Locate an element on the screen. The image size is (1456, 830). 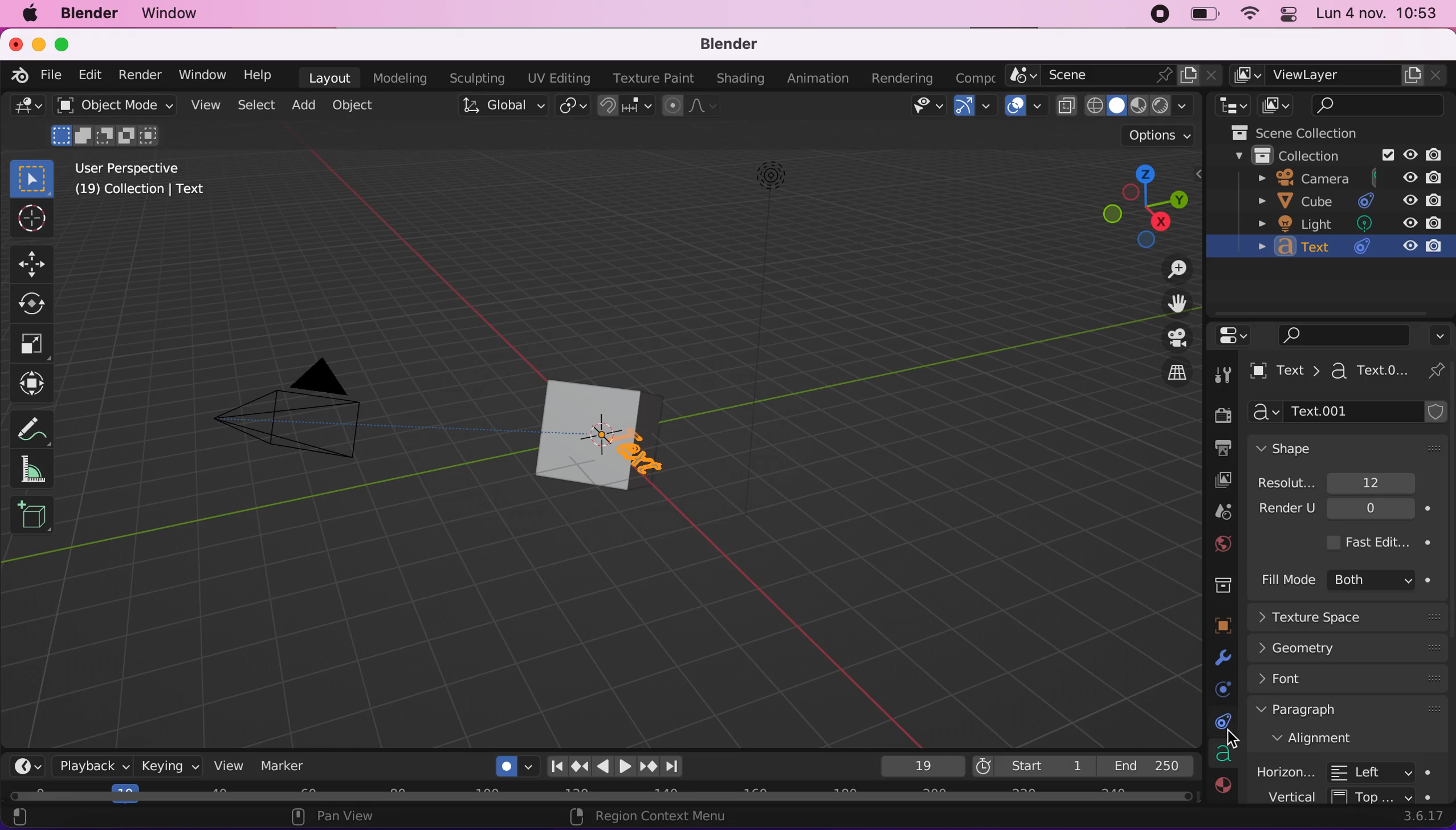
search is located at coordinates (1345, 334).